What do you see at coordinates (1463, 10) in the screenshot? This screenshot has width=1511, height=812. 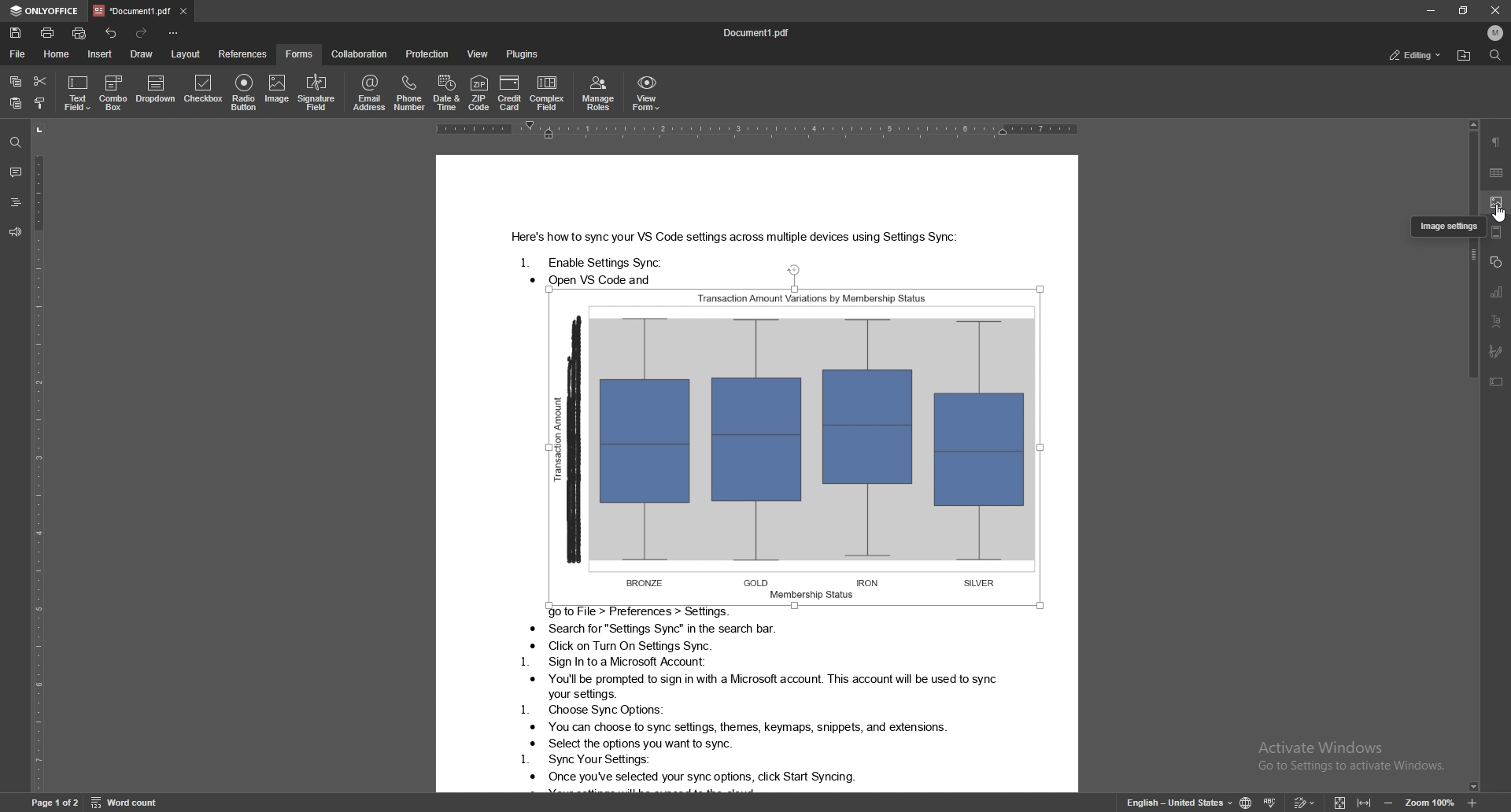 I see `resize` at bounding box center [1463, 10].